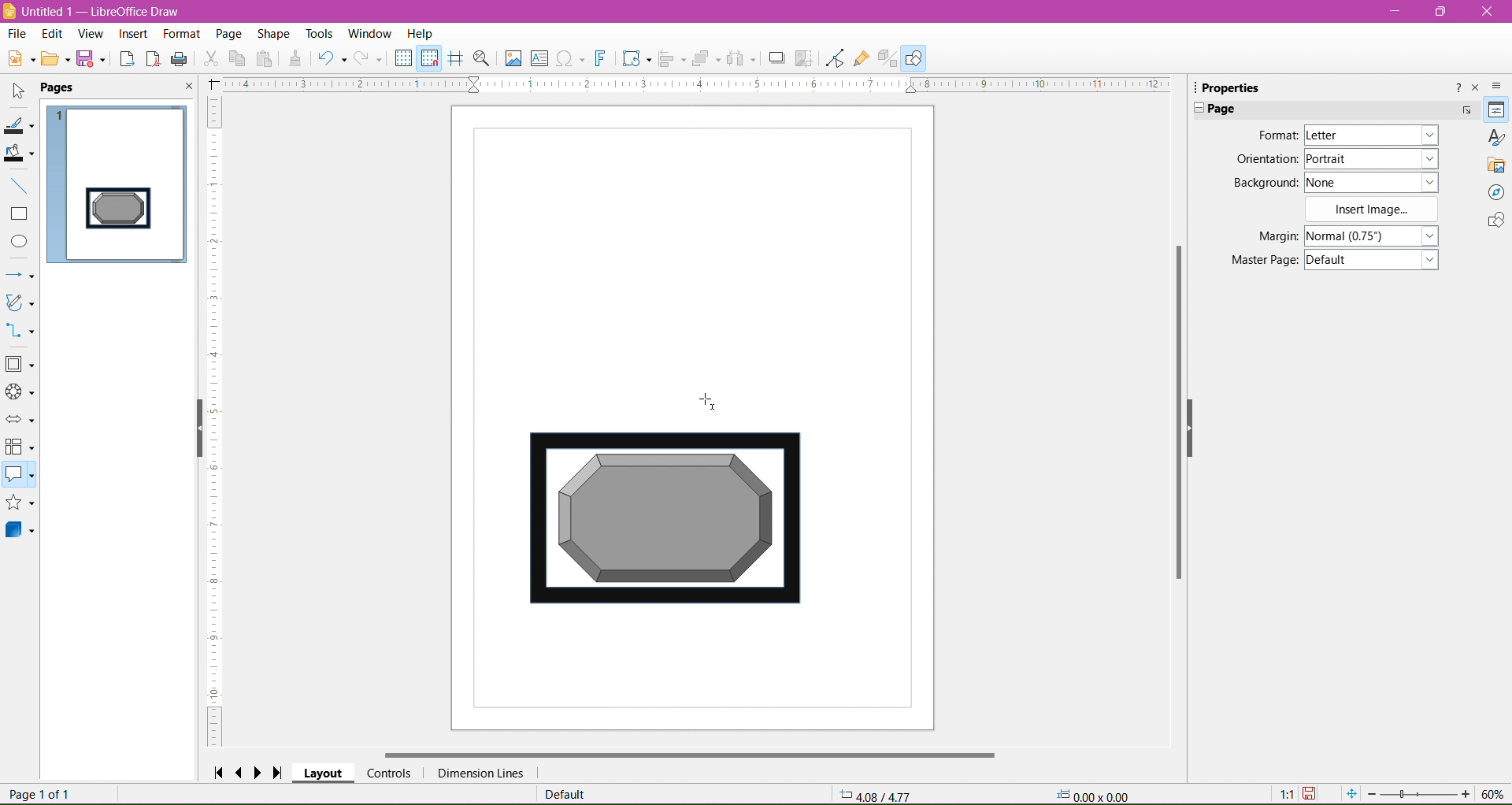  Describe the element at coordinates (1467, 795) in the screenshot. I see `Zoom In` at that location.